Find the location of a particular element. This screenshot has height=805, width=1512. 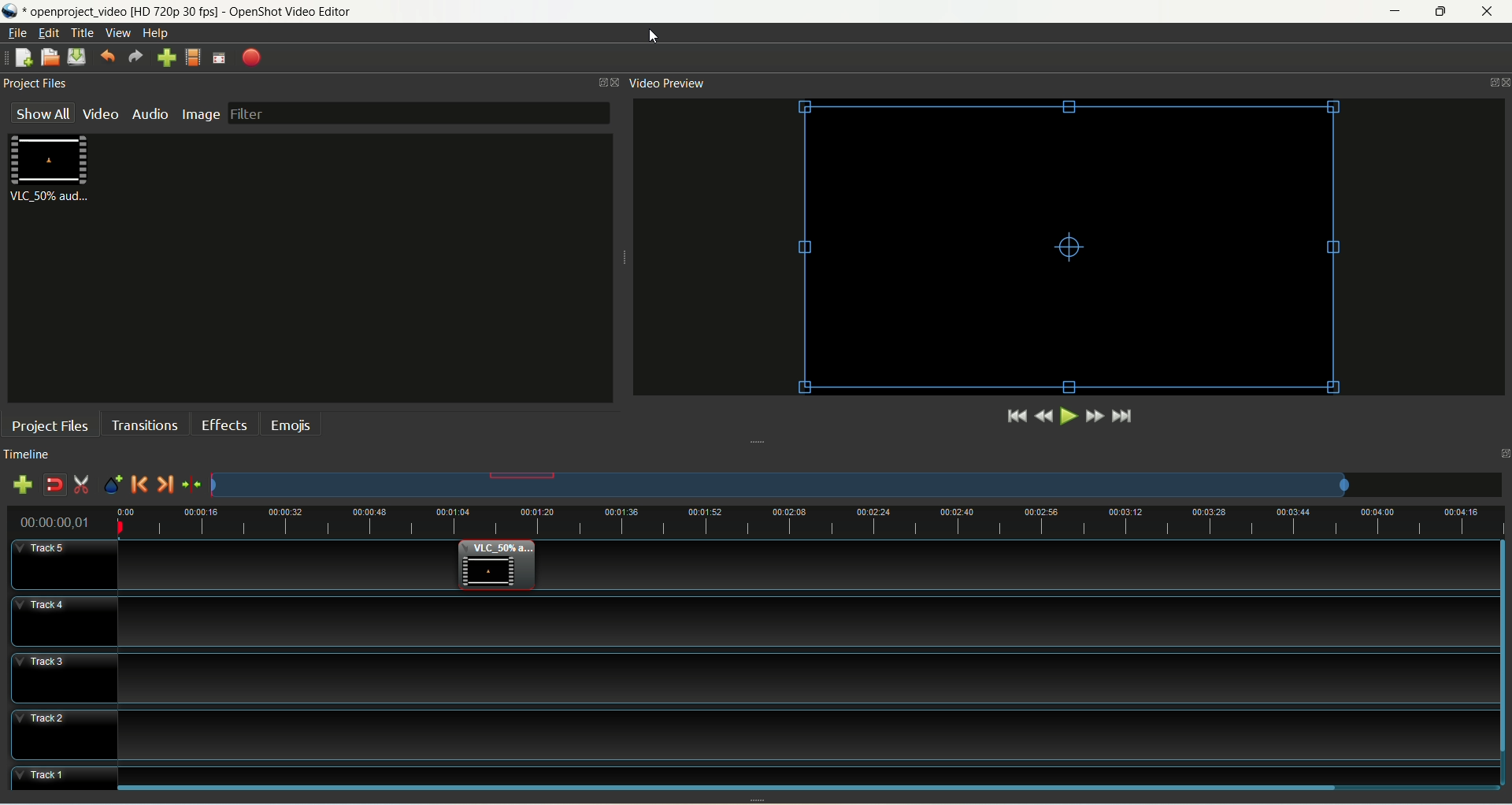

track2 is located at coordinates (64, 735).